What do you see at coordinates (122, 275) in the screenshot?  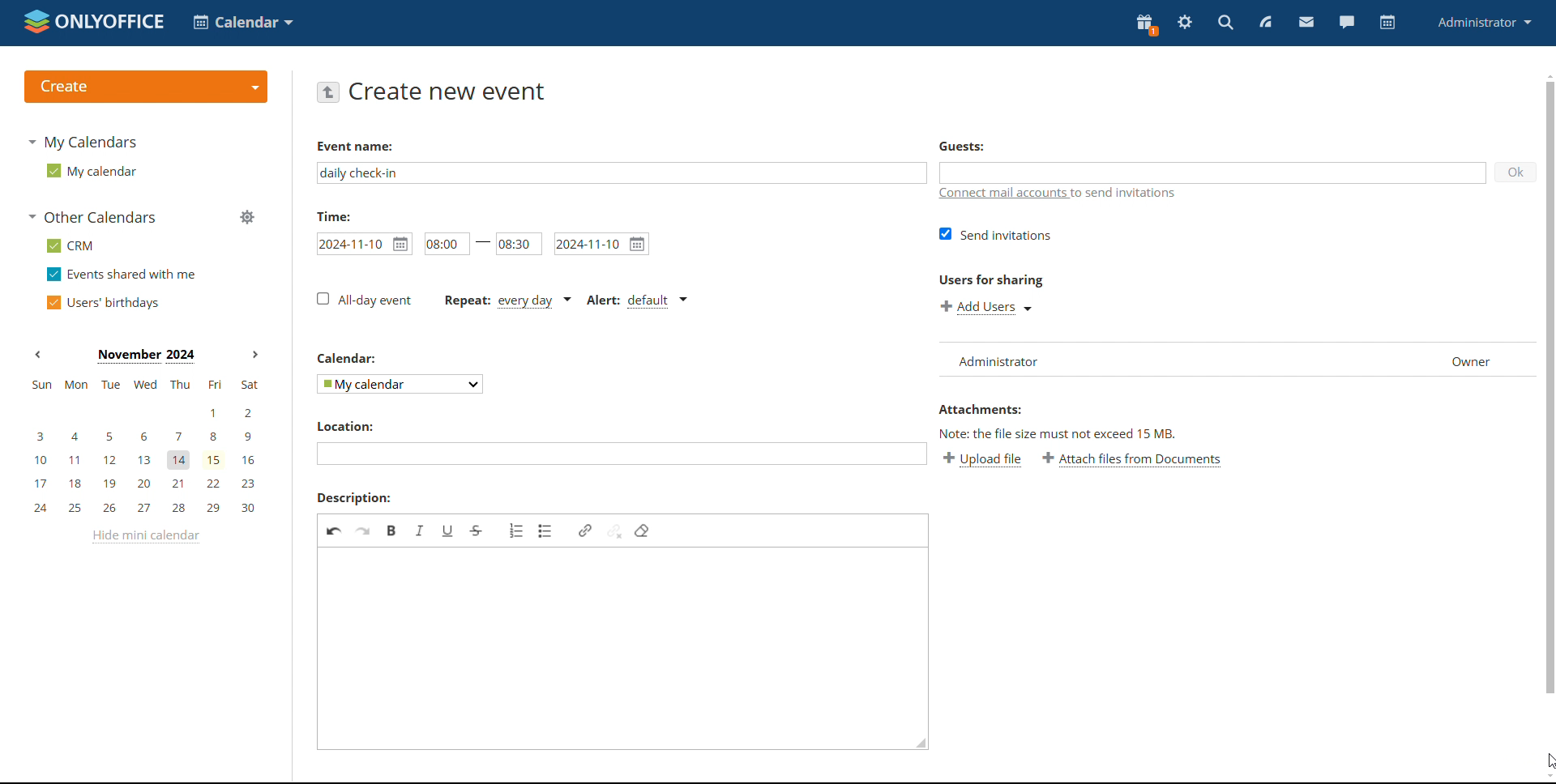 I see `events shared with me` at bounding box center [122, 275].